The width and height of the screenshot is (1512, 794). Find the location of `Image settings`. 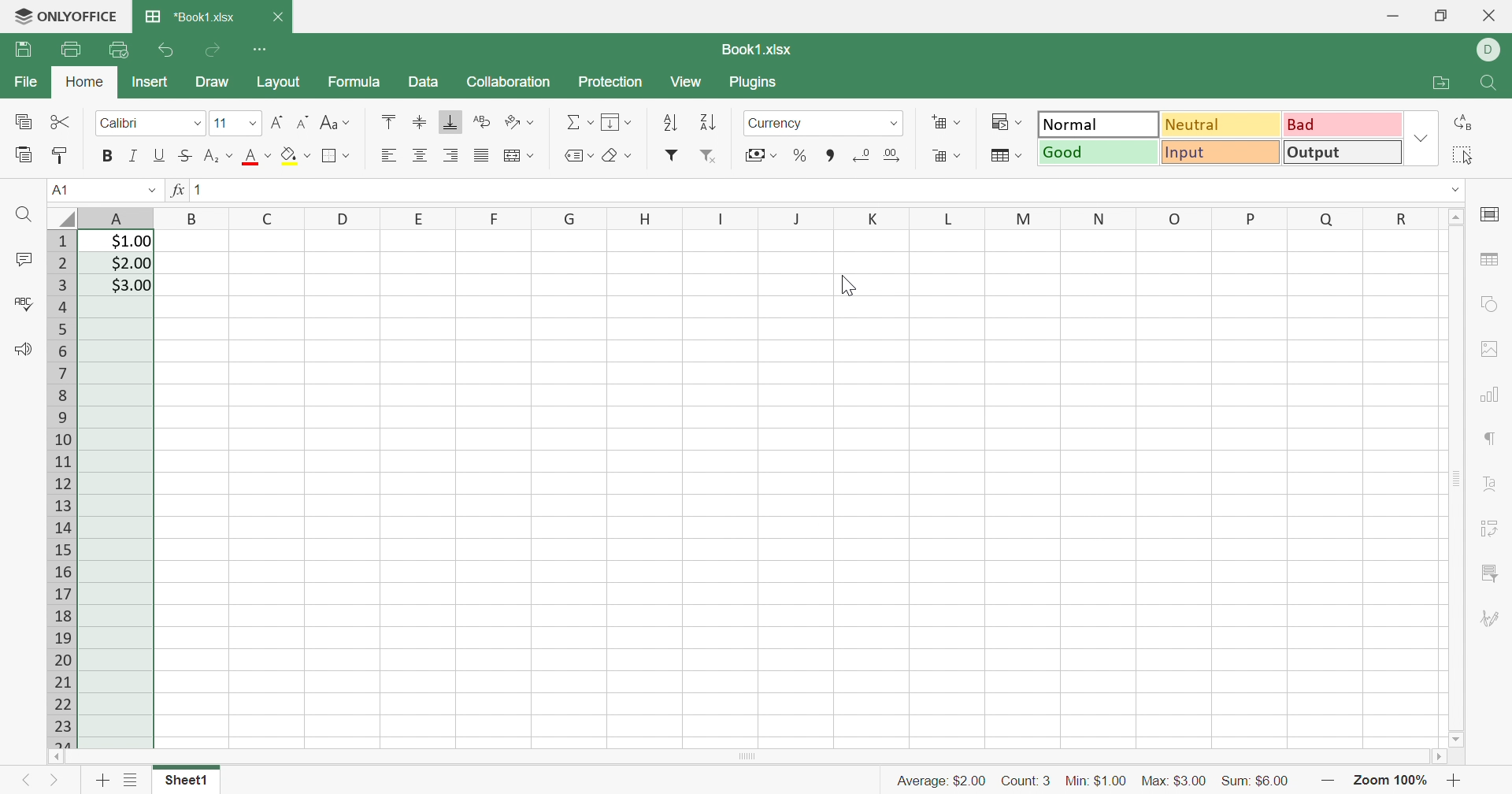

Image settings is located at coordinates (1484, 347).